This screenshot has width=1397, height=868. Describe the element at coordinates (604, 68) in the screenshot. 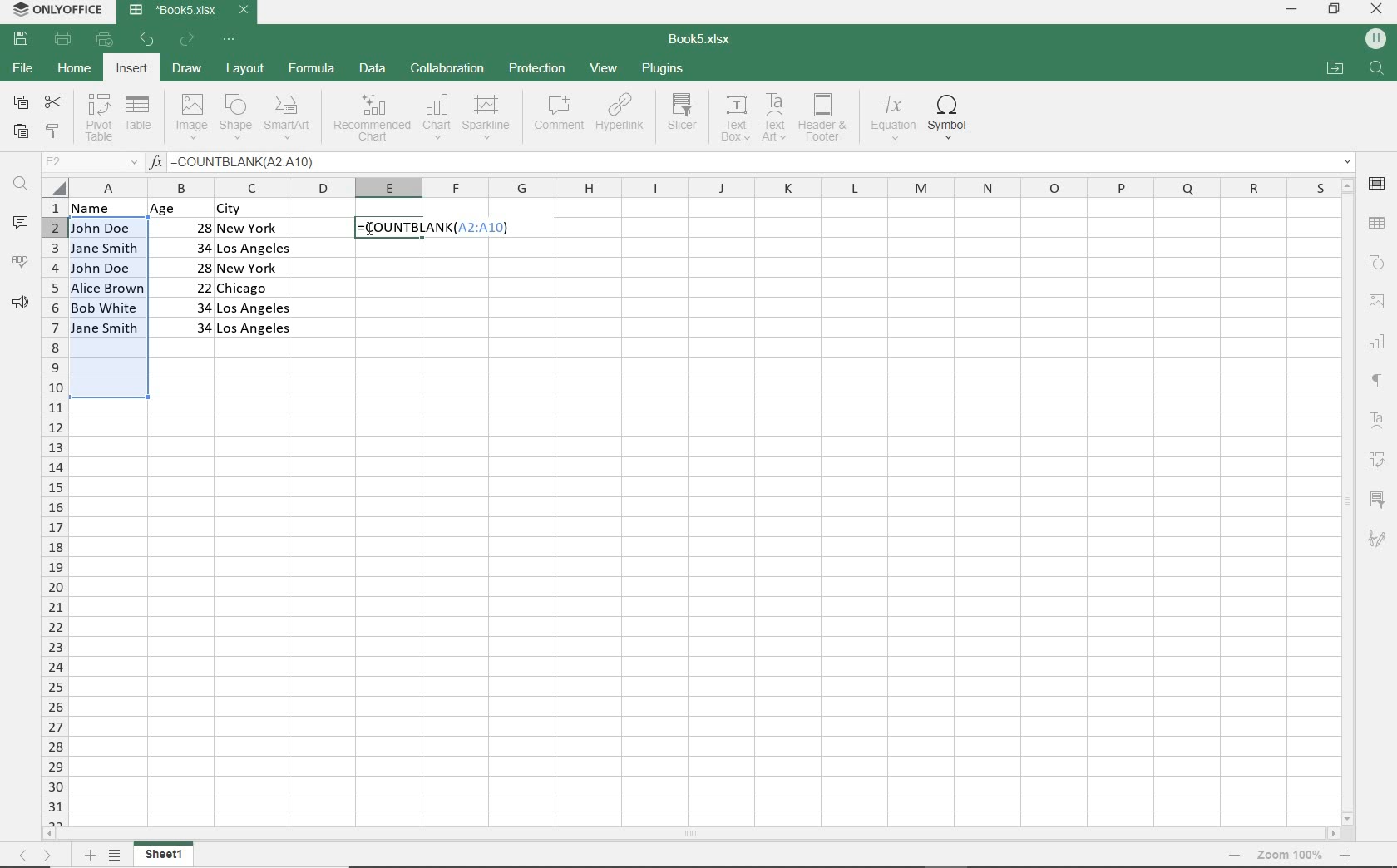

I see `VIEW` at that location.